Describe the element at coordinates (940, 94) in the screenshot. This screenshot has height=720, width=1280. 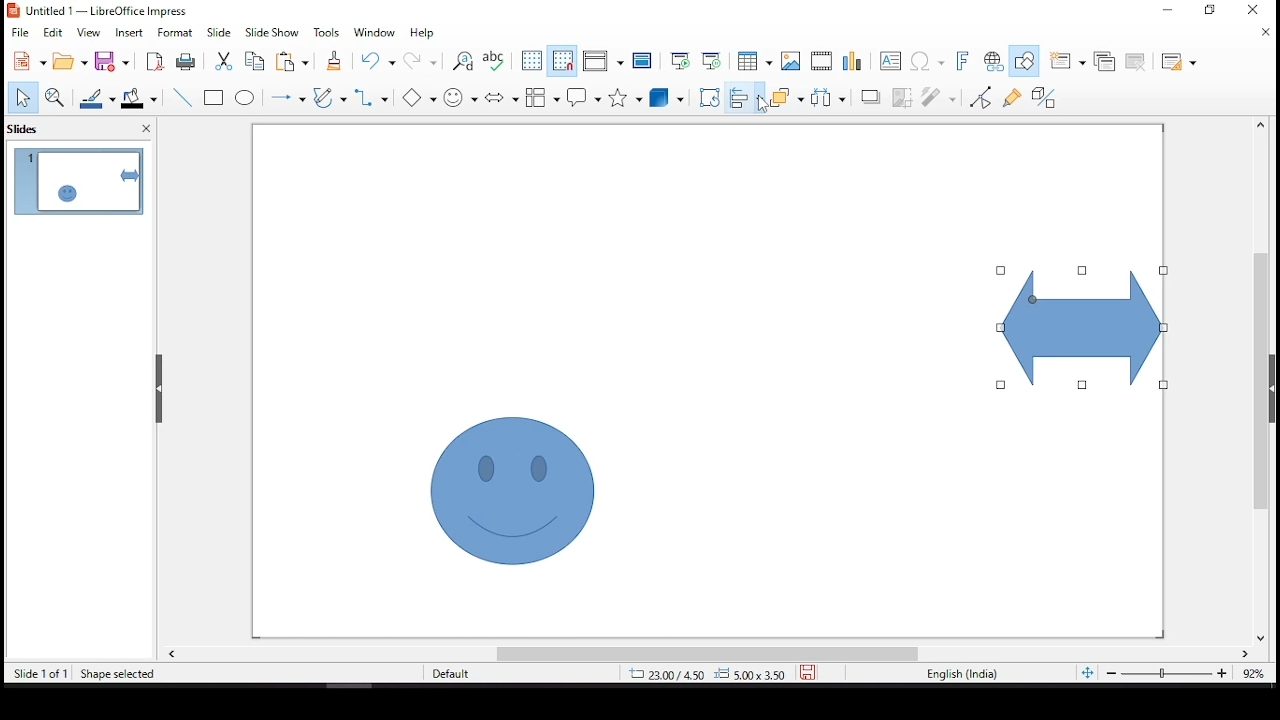
I see `filter` at that location.